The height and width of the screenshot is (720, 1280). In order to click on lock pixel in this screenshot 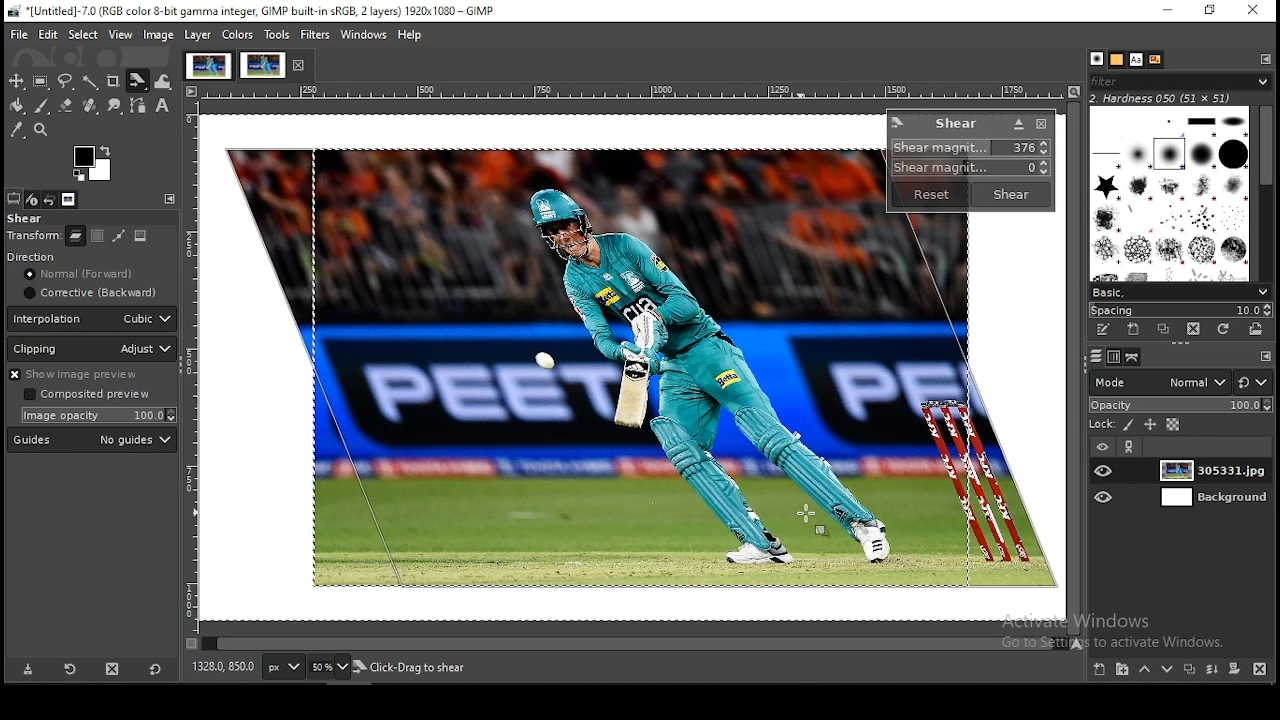, I will do `click(1129, 427)`.